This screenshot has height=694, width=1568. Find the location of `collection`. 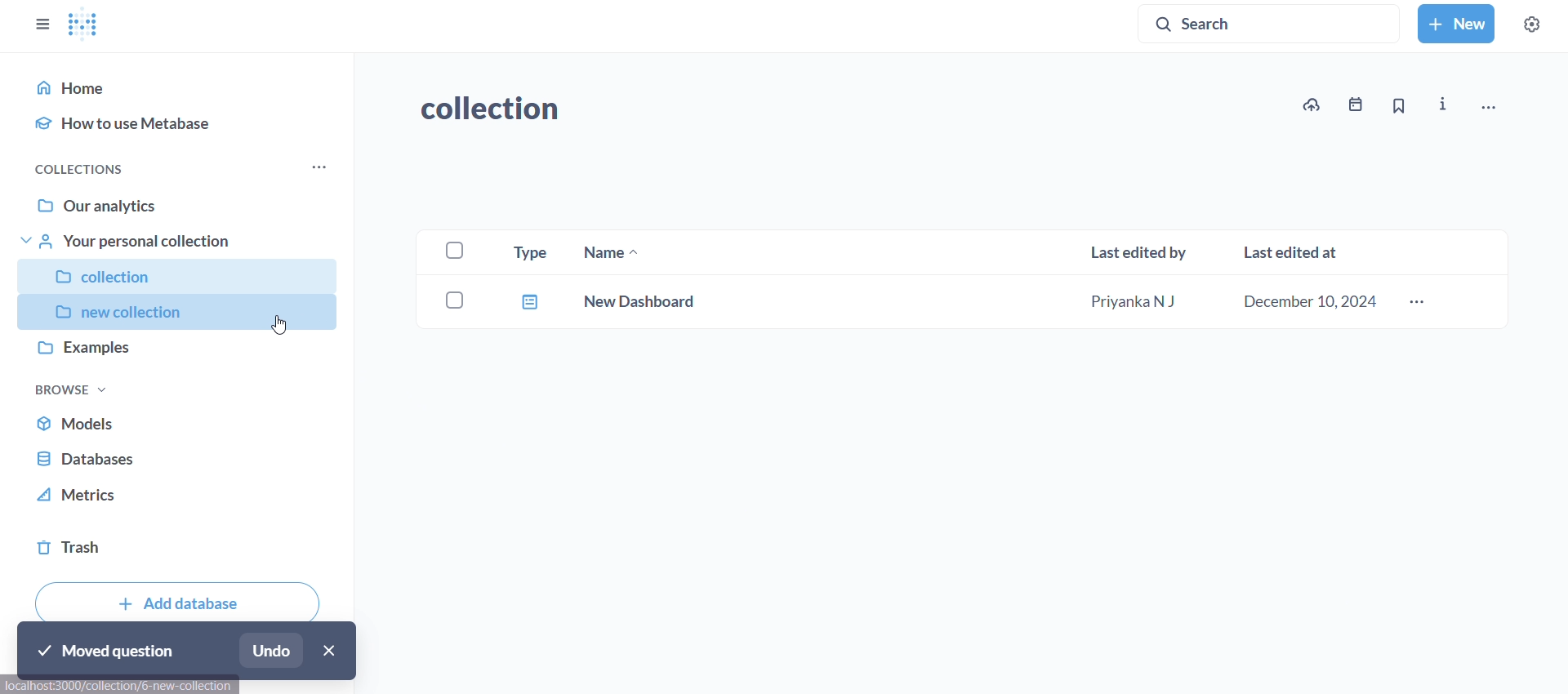

collection is located at coordinates (501, 112).